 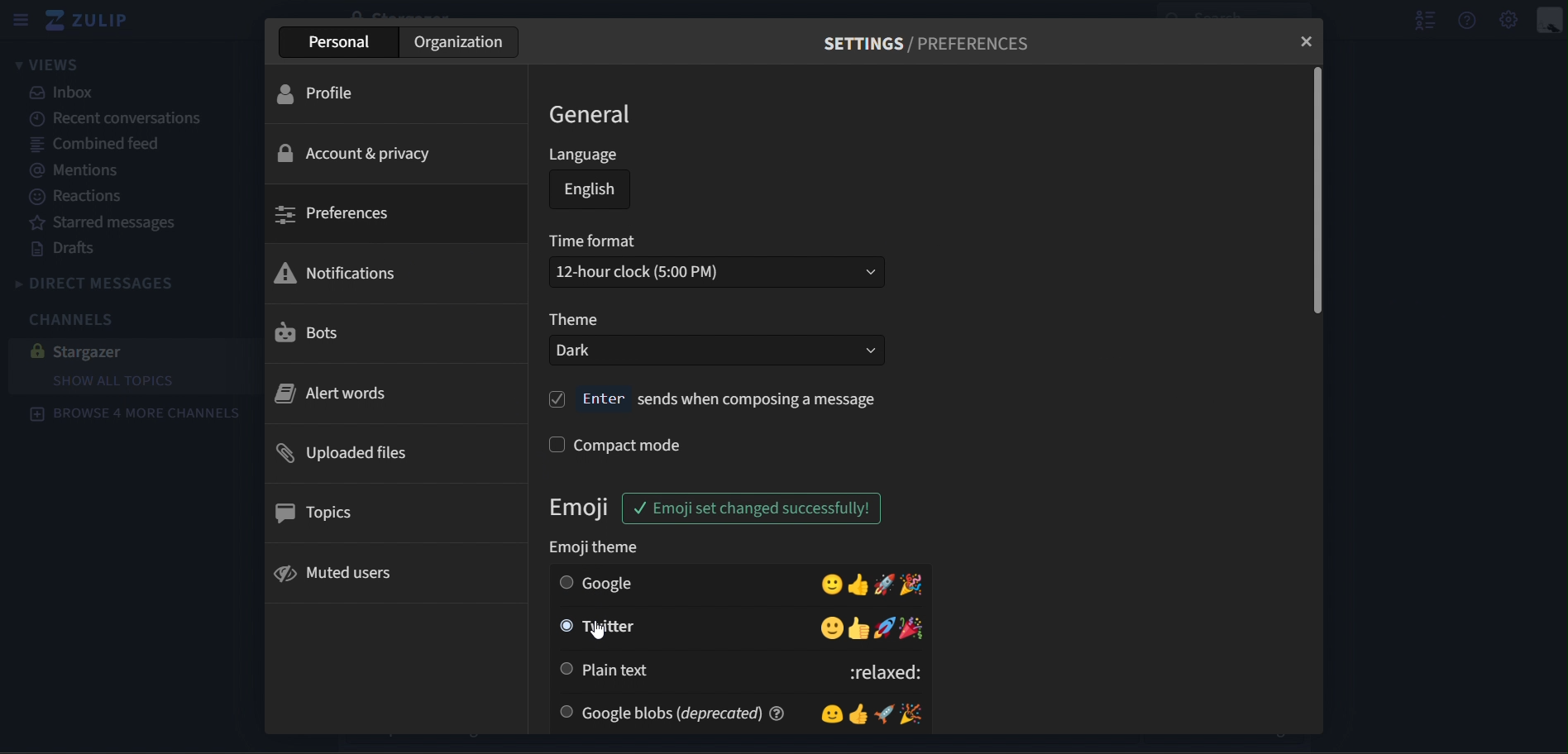 I want to click on personal menu, so click(x=1548, y=19).